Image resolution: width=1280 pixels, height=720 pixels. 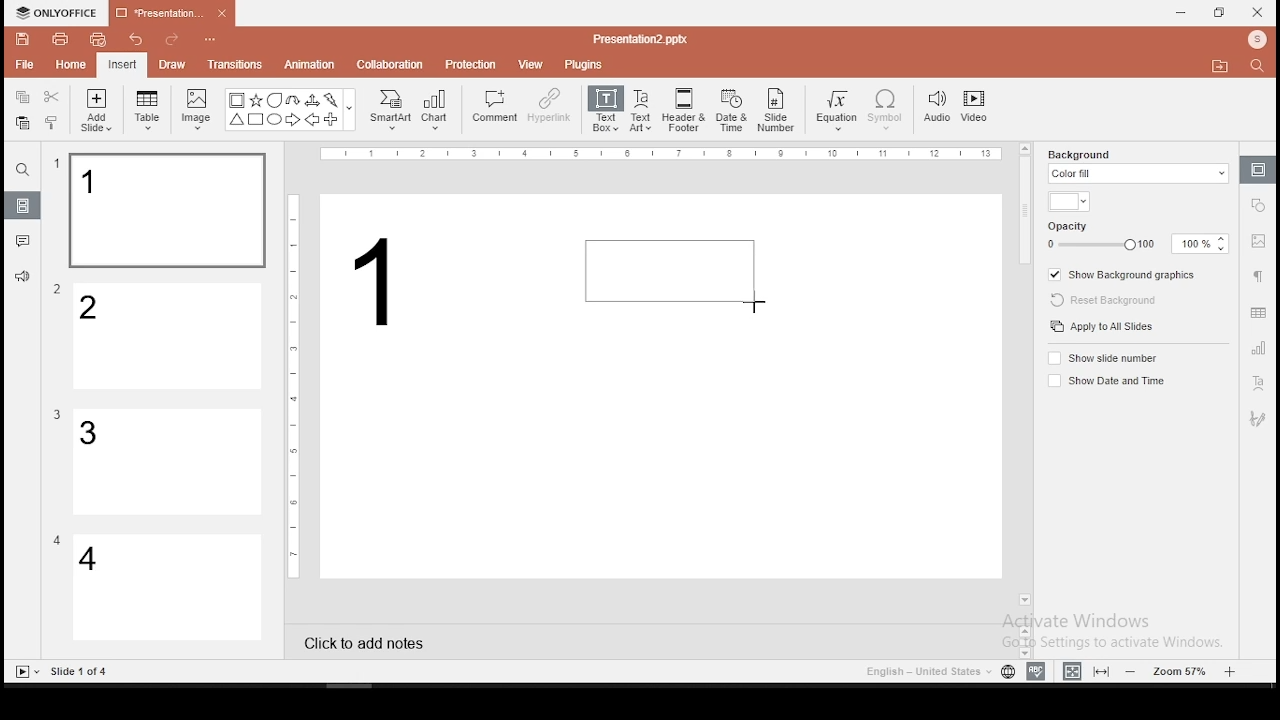 I want to click on support and feedback, so click(x=22, y=279).